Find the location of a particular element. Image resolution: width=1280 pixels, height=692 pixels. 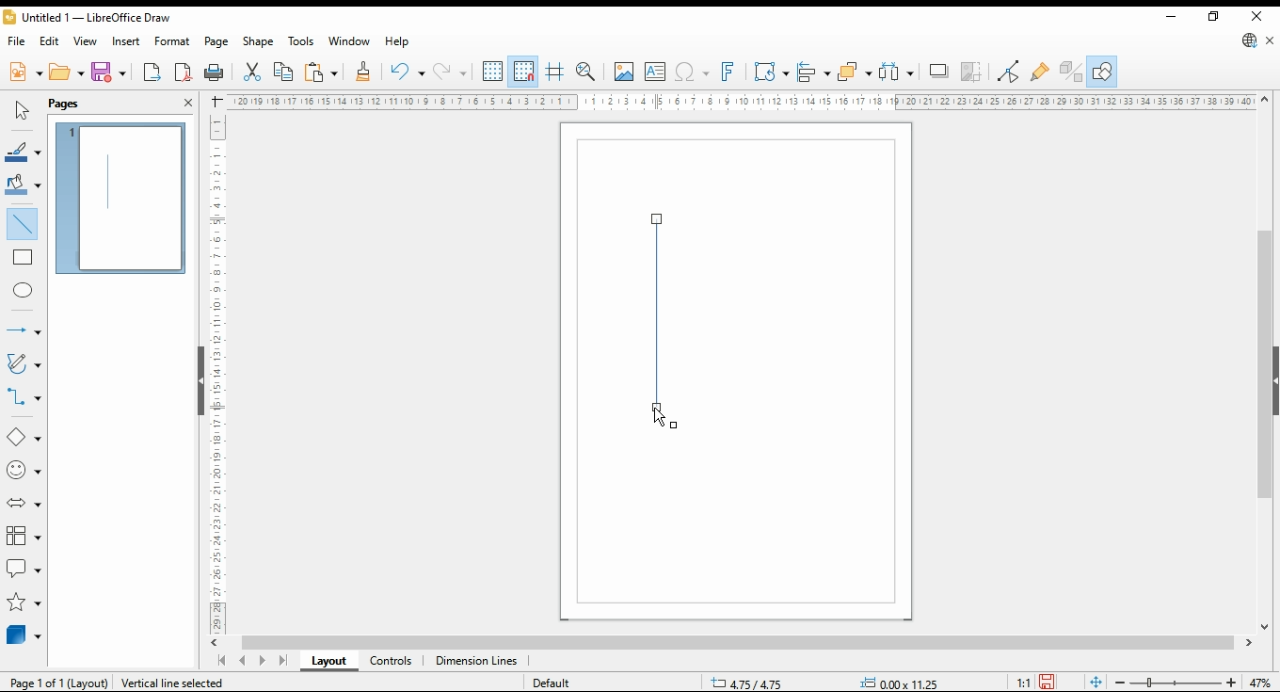

callout shapes is located at coordinates (24, 568).